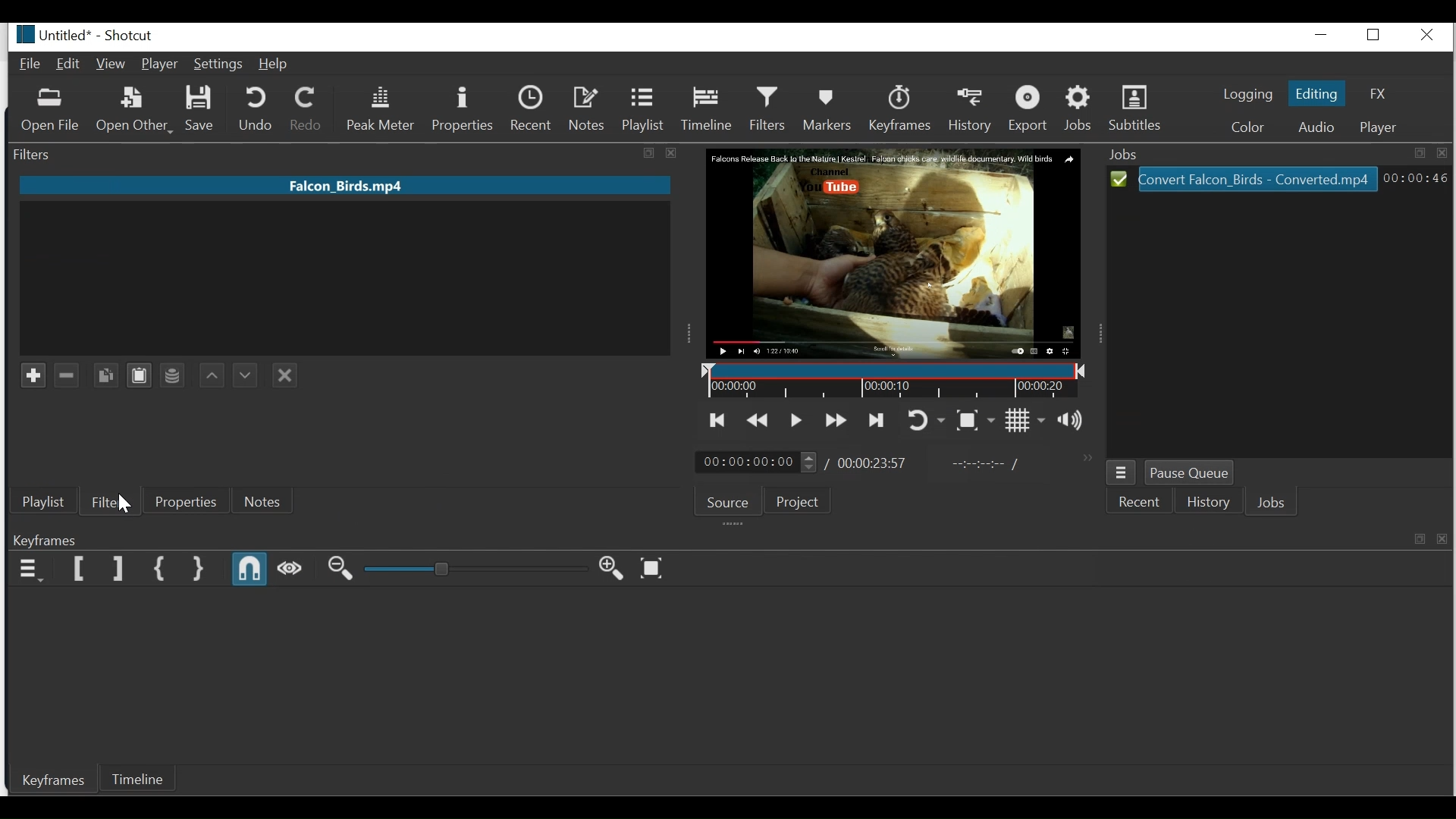  I want to click on Jobs, so click(1080, 108).